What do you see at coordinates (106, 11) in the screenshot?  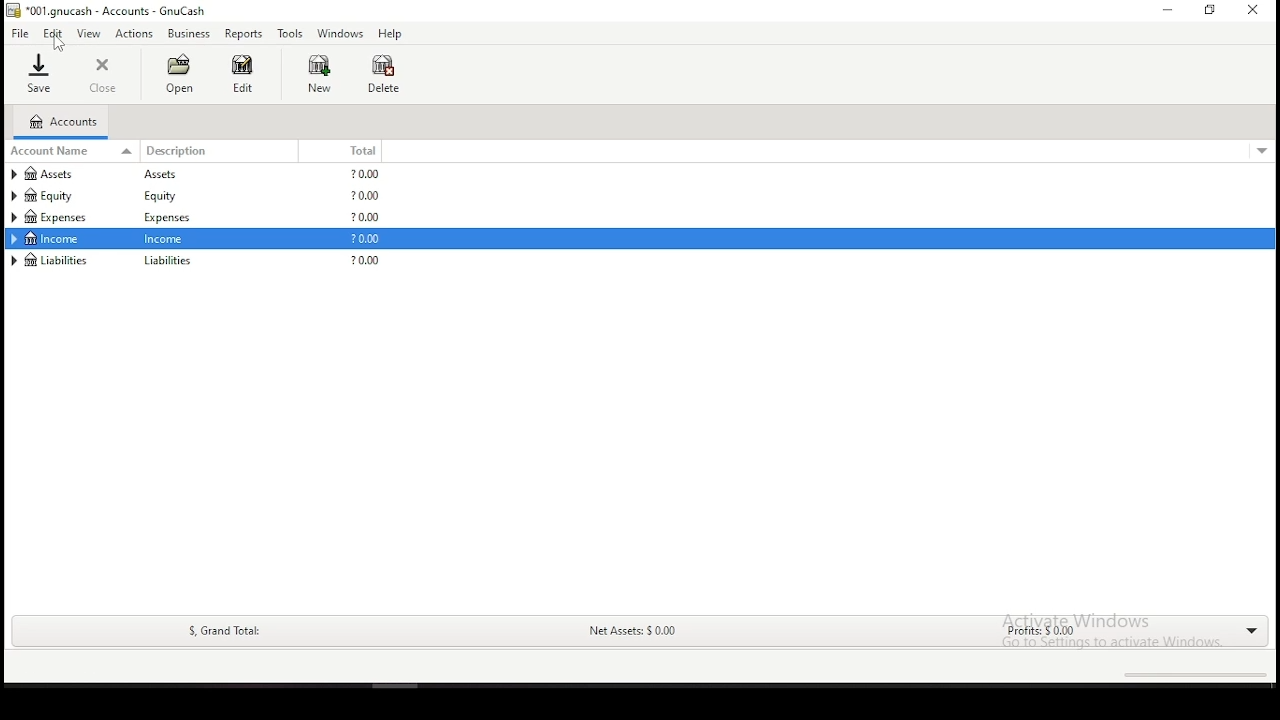 I see `*001.gnucash - accounts - GnuCash` at bounding box center [106, 11].